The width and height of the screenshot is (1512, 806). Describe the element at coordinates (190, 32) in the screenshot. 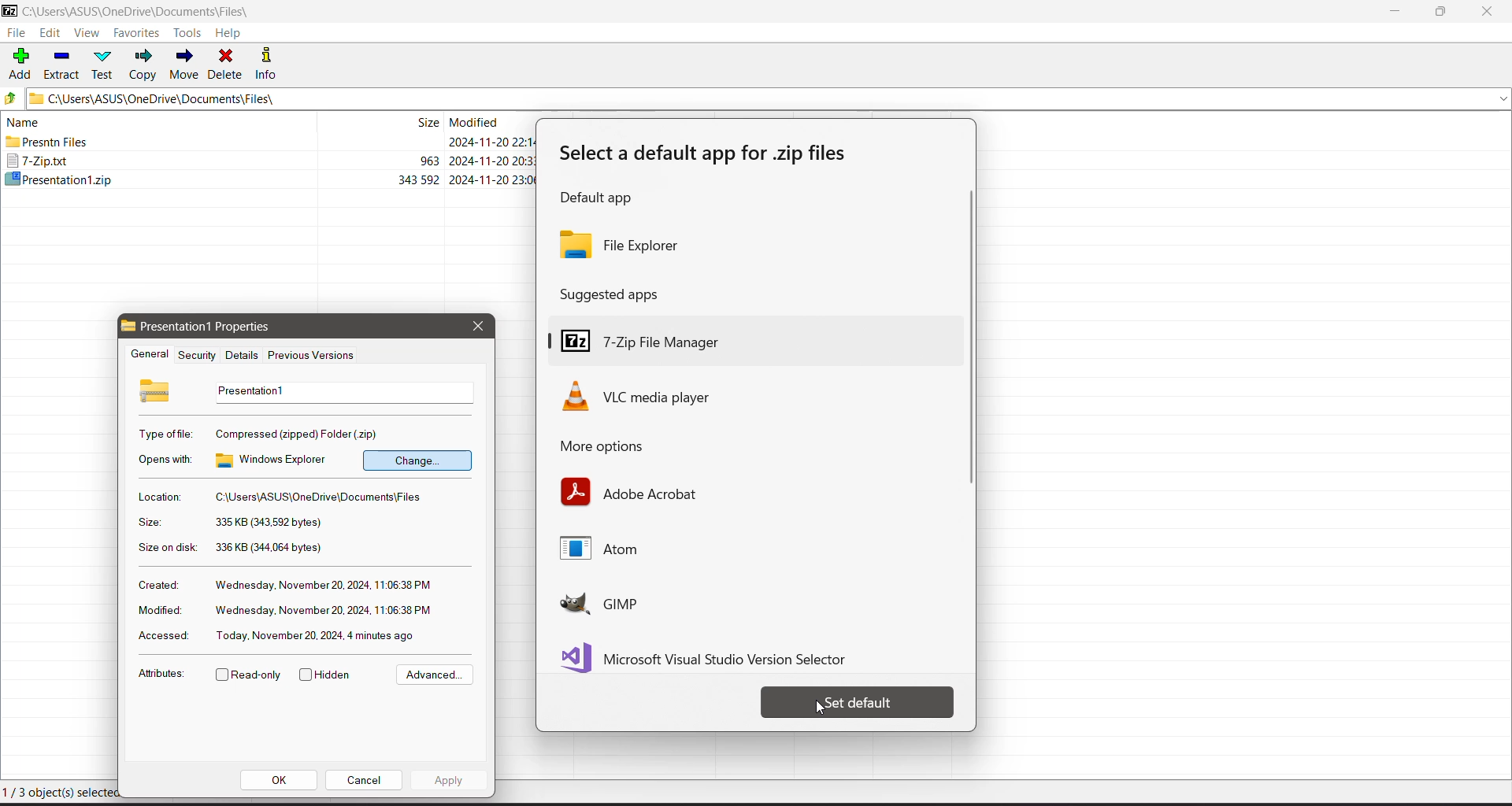

I see `Tools` at that location.